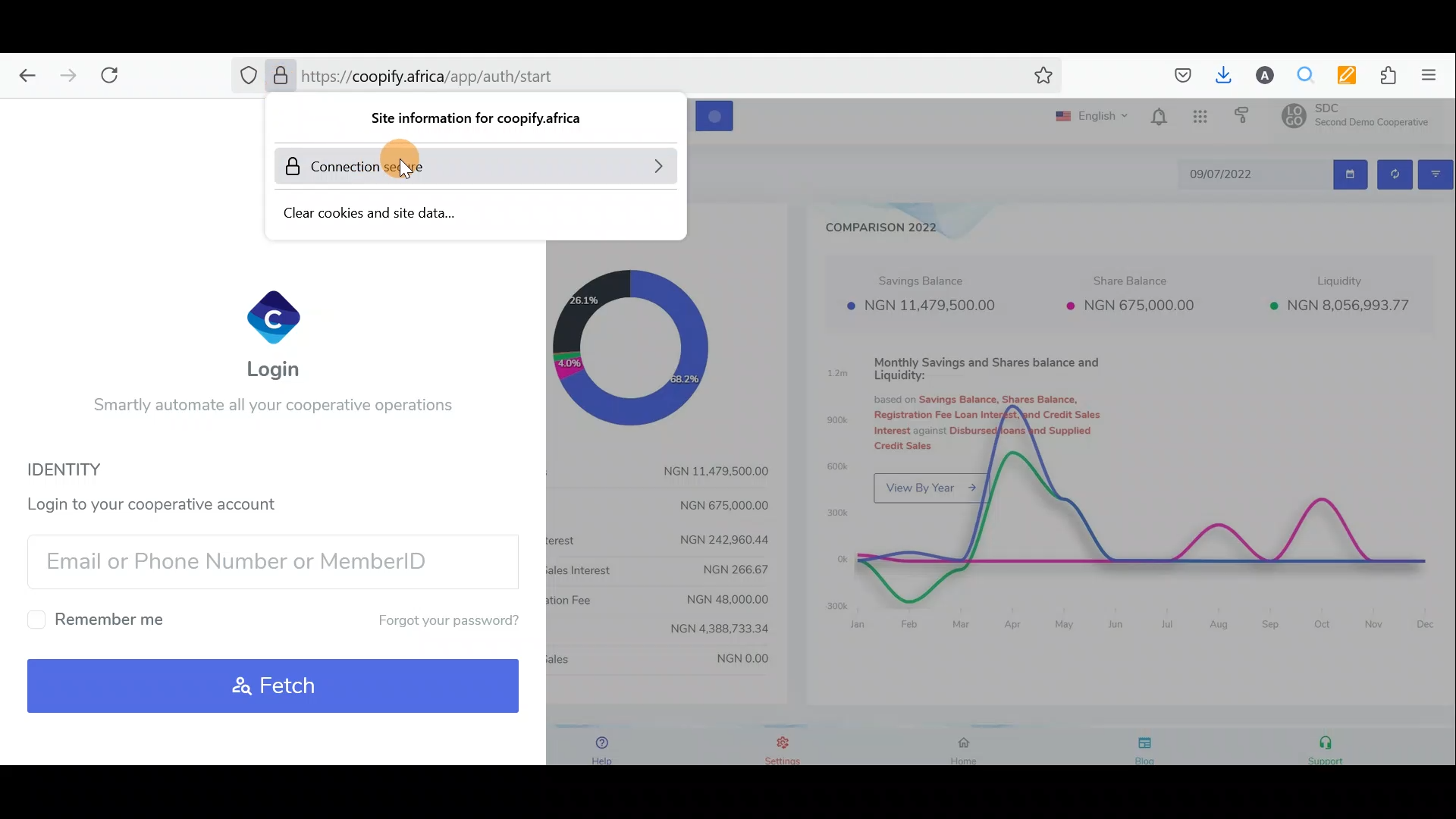 This screenshot has height=819, width=1456. What do you see at coordinates (116, 75) in the screenshot?
I see `Reload current page` at bounding box center [116, 75].